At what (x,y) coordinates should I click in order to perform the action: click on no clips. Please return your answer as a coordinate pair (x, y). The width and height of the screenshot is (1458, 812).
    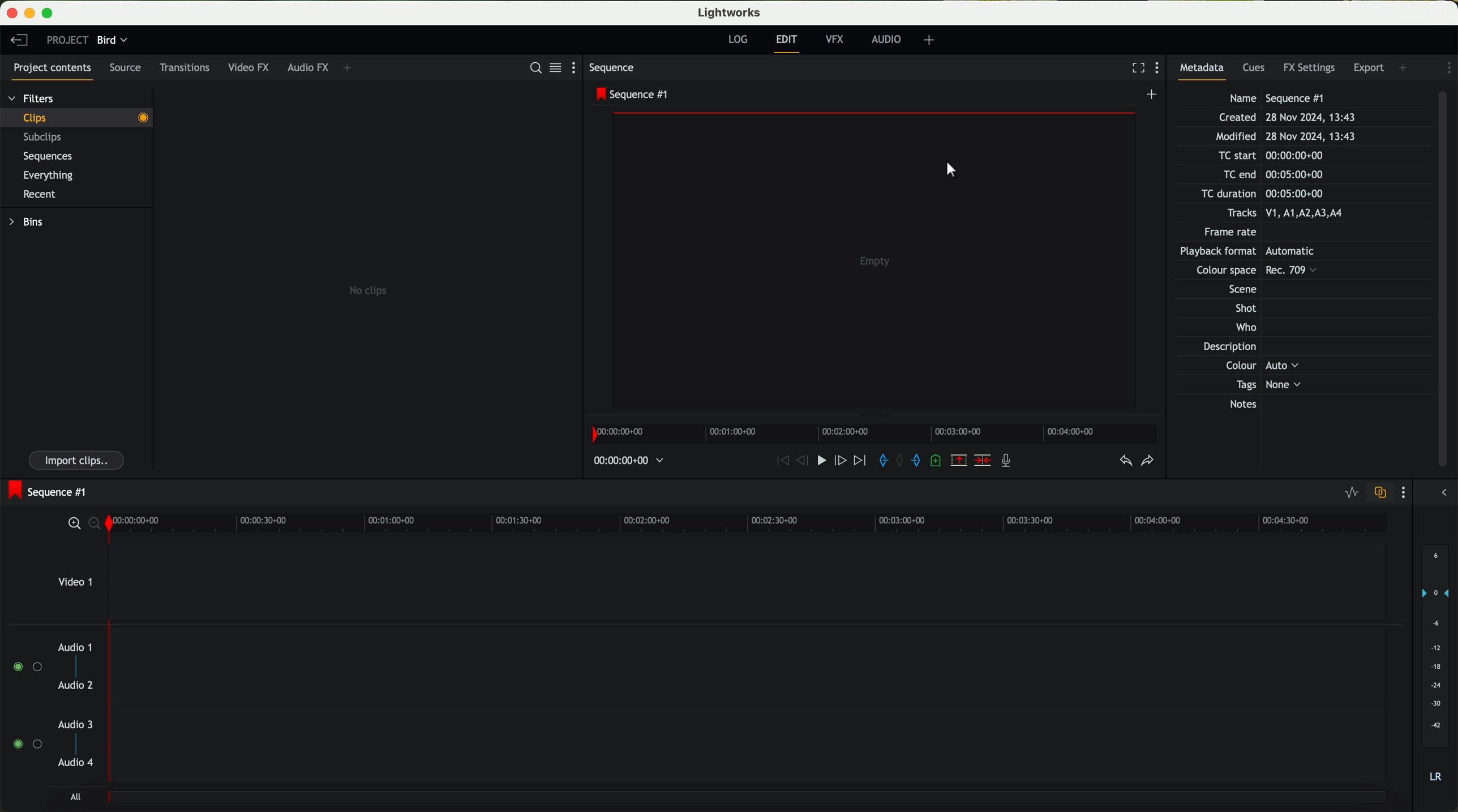
    Looking at the image, I should click on (365, 241).